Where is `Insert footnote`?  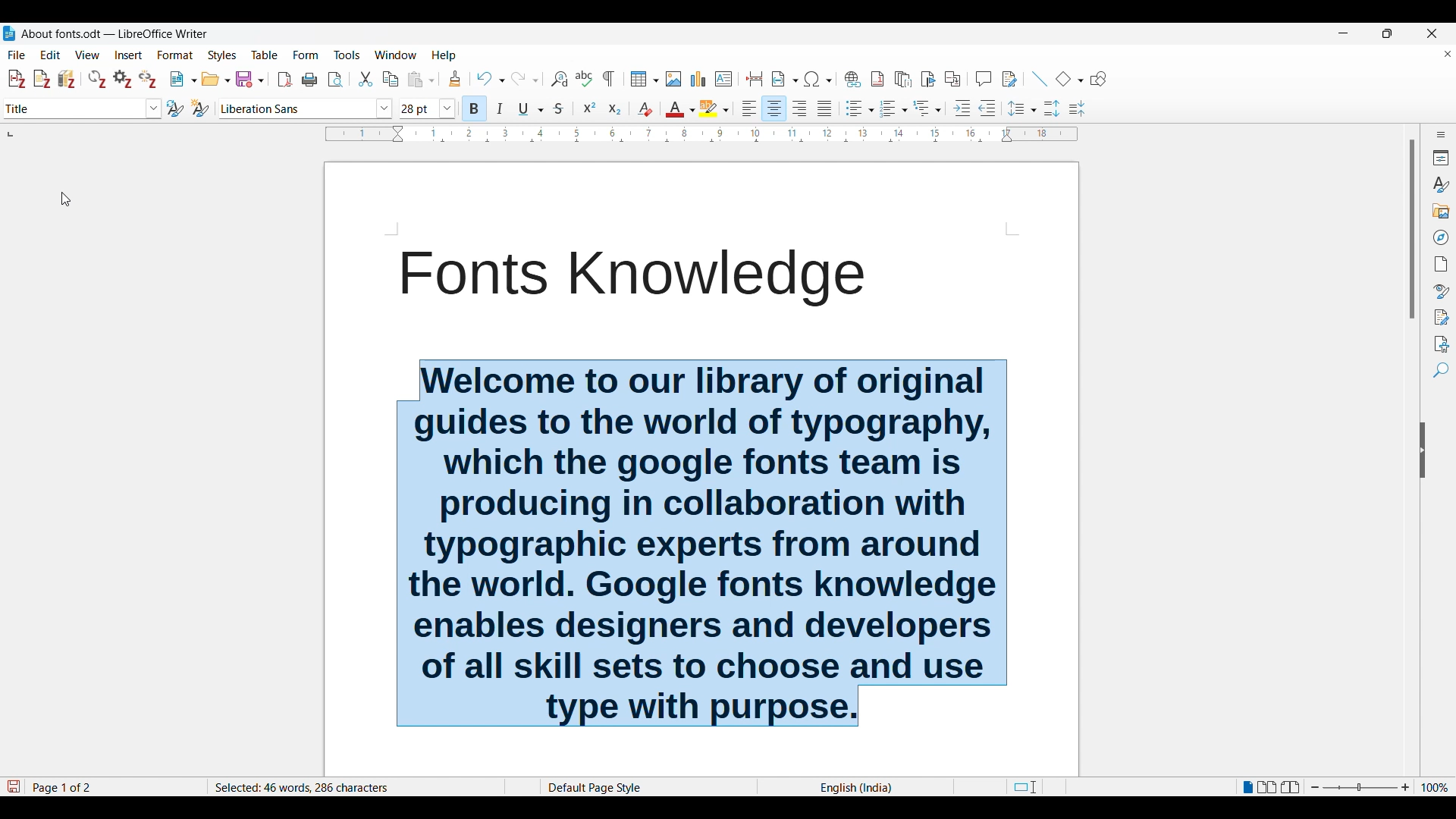 Insert footnote is located at coordinates (877, 79).